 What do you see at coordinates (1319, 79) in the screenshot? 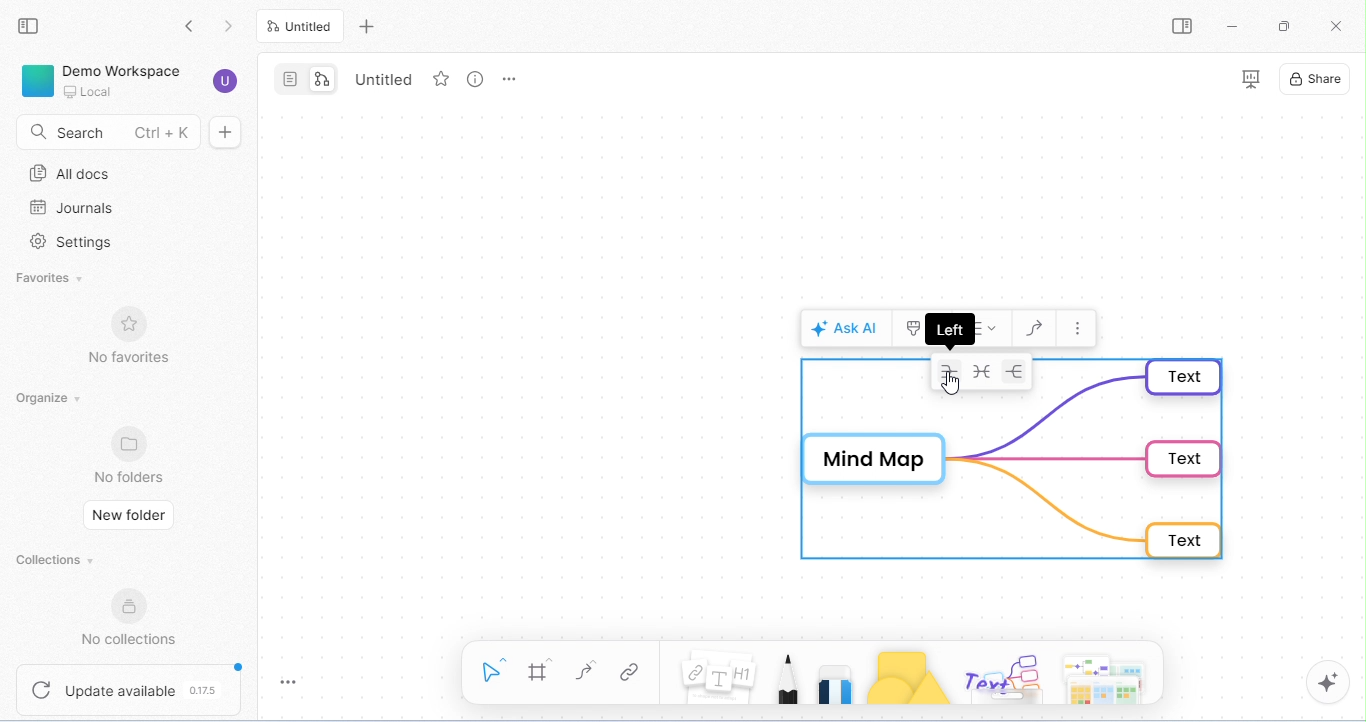
I see `share` at bounding box center [1319, 79].